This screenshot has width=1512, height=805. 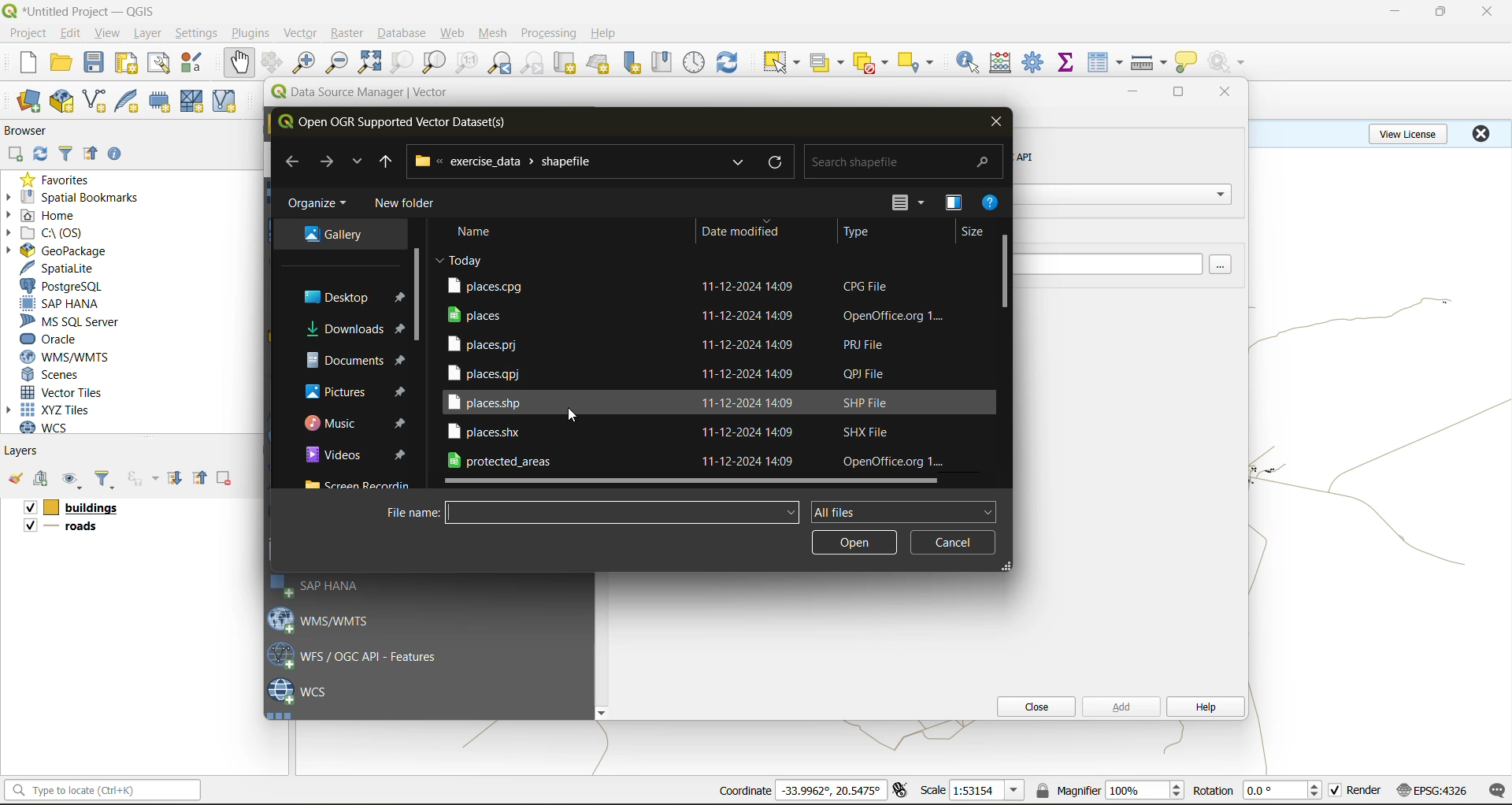 I want to click on organize, so click(x=319, y=206).